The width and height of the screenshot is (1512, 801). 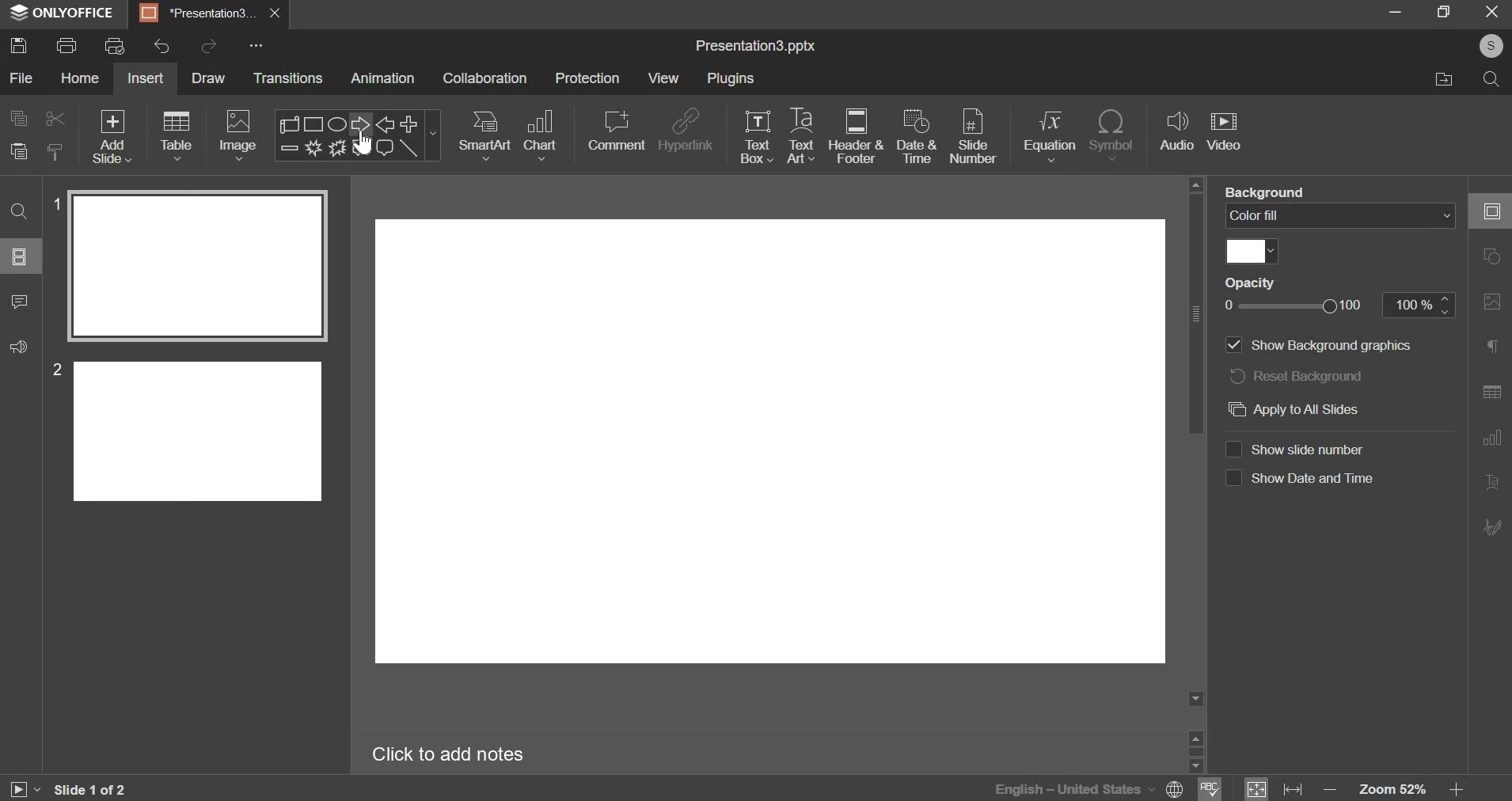 What do you see at coordinates (1396, 11) in the screenshot?
I see `minimize` at bounding box center [1396, 11].